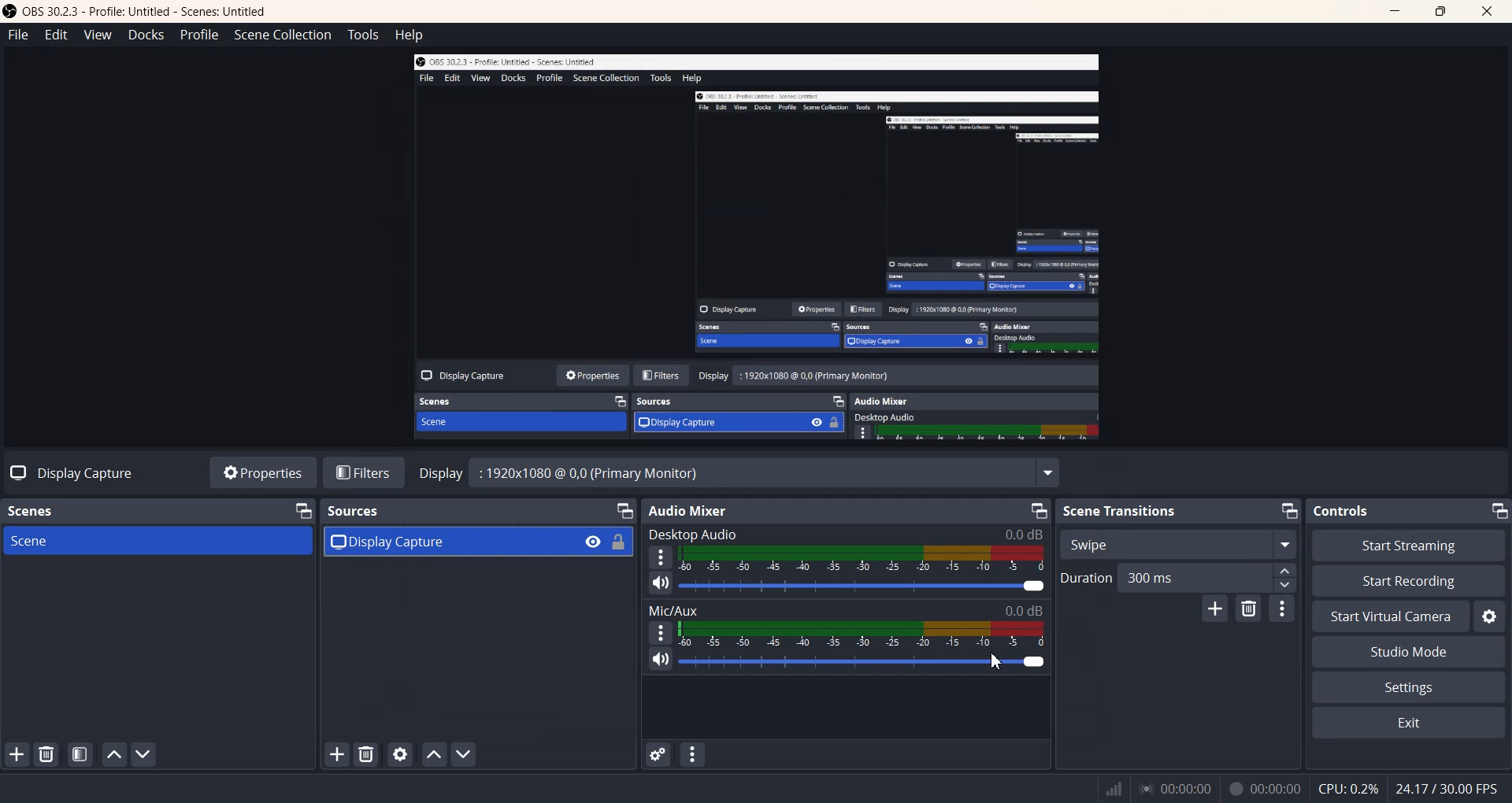 The image size is (1512, 803). Describe the element at coordinates (17, 34) in the screenshot. I see `File` at that location.